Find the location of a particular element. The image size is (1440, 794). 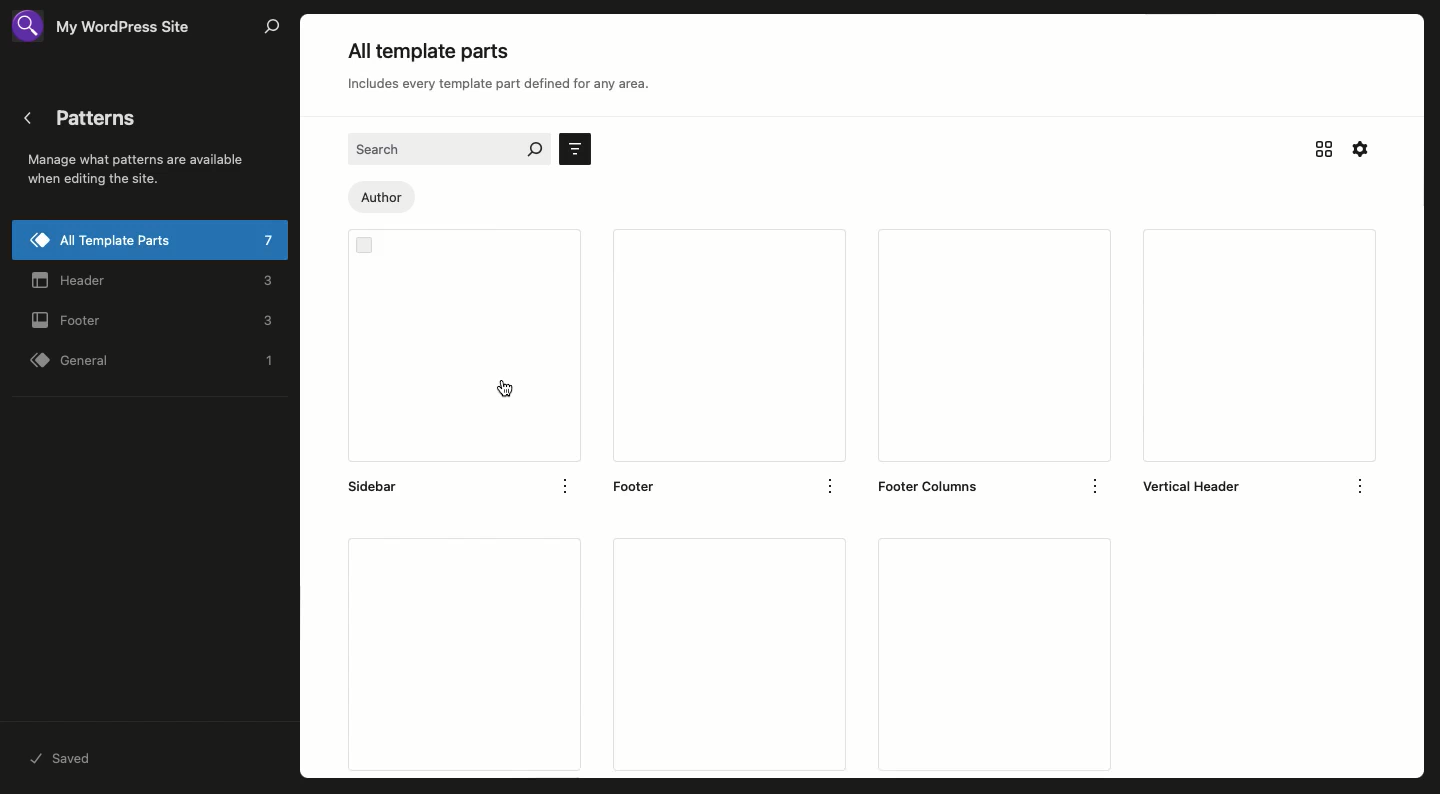

footer is located at coordinates (640, 488).